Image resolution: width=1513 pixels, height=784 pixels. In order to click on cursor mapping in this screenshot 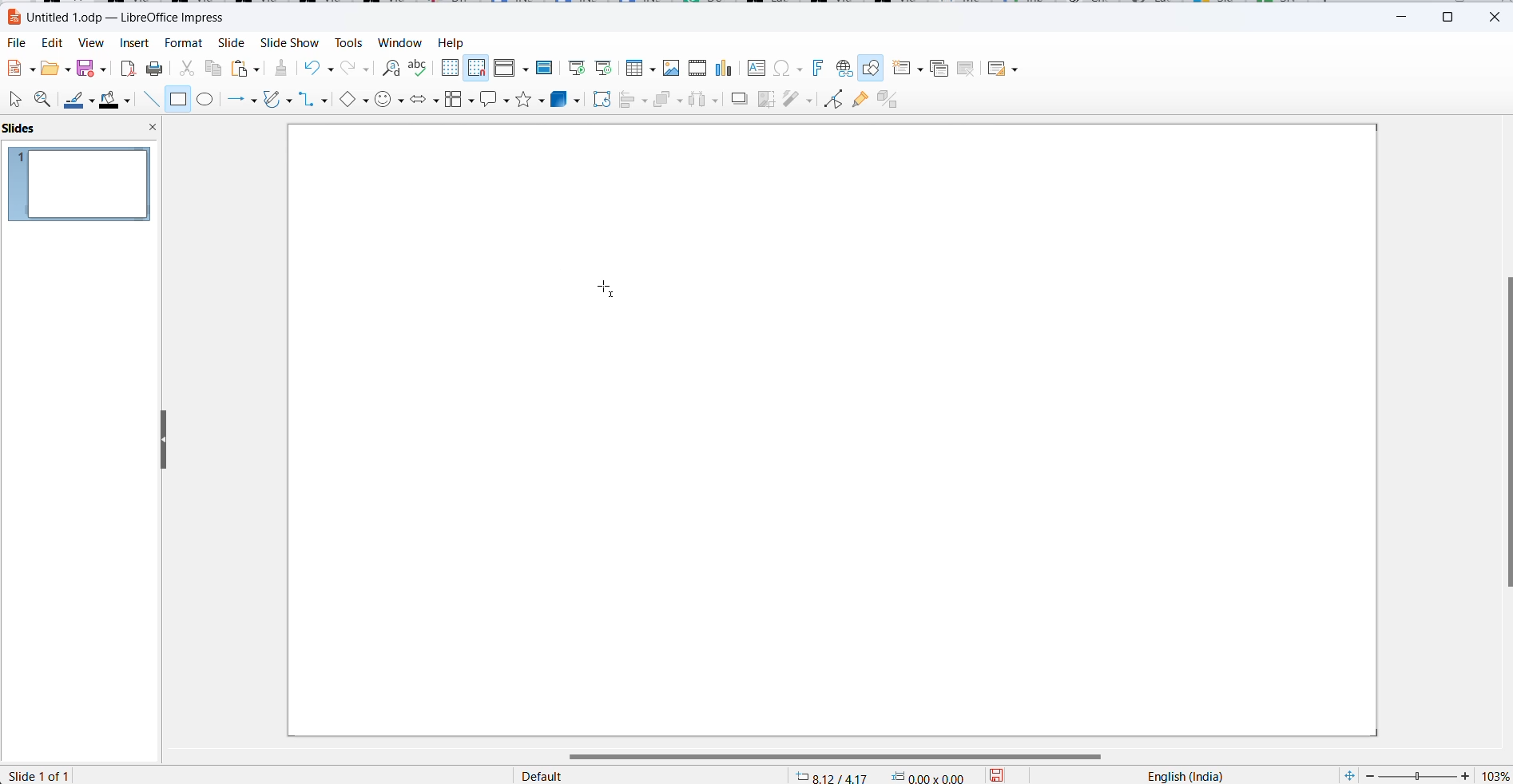, I will do `click(882, 775)`.